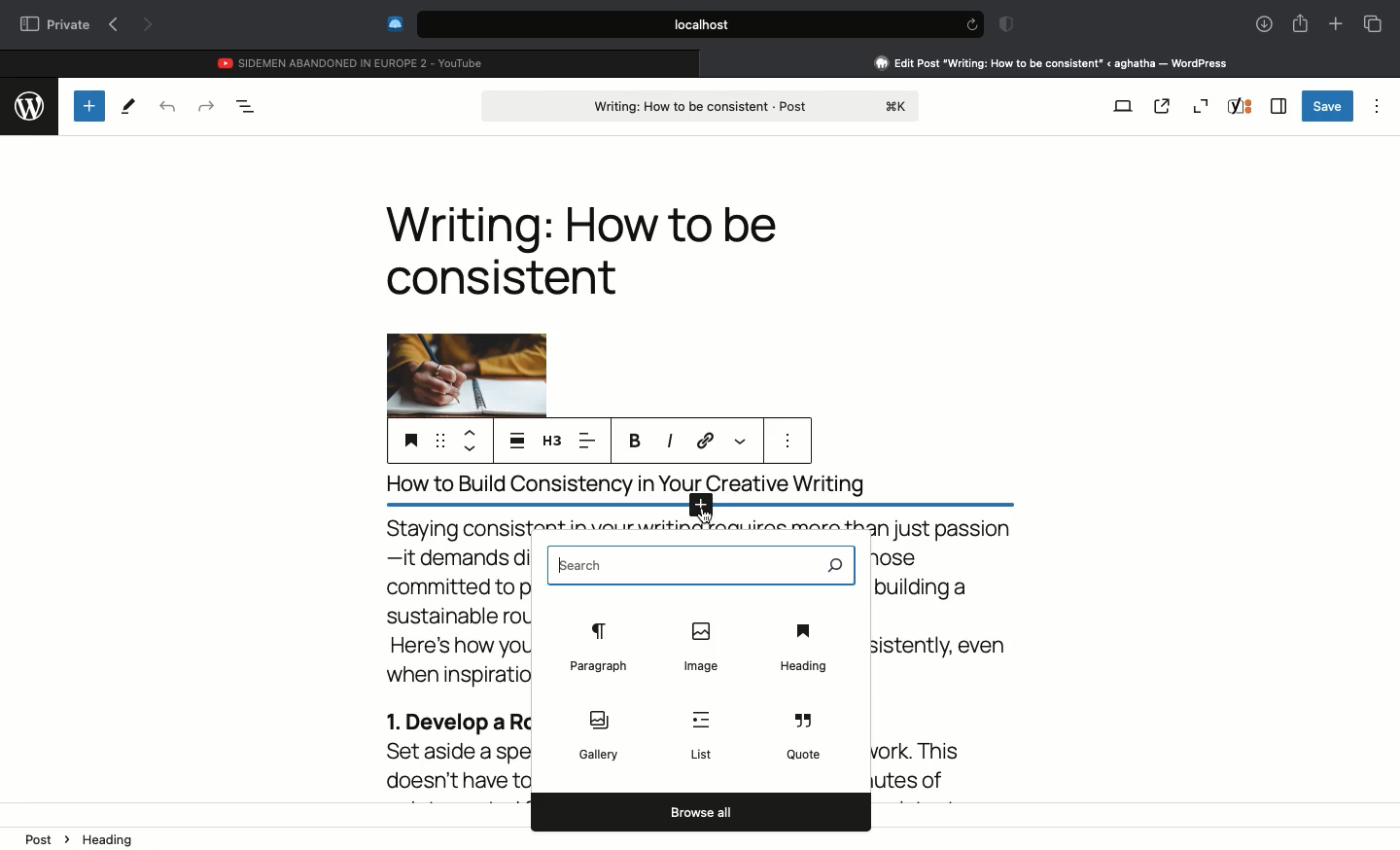  I want to click on Body, so click(446, 658).